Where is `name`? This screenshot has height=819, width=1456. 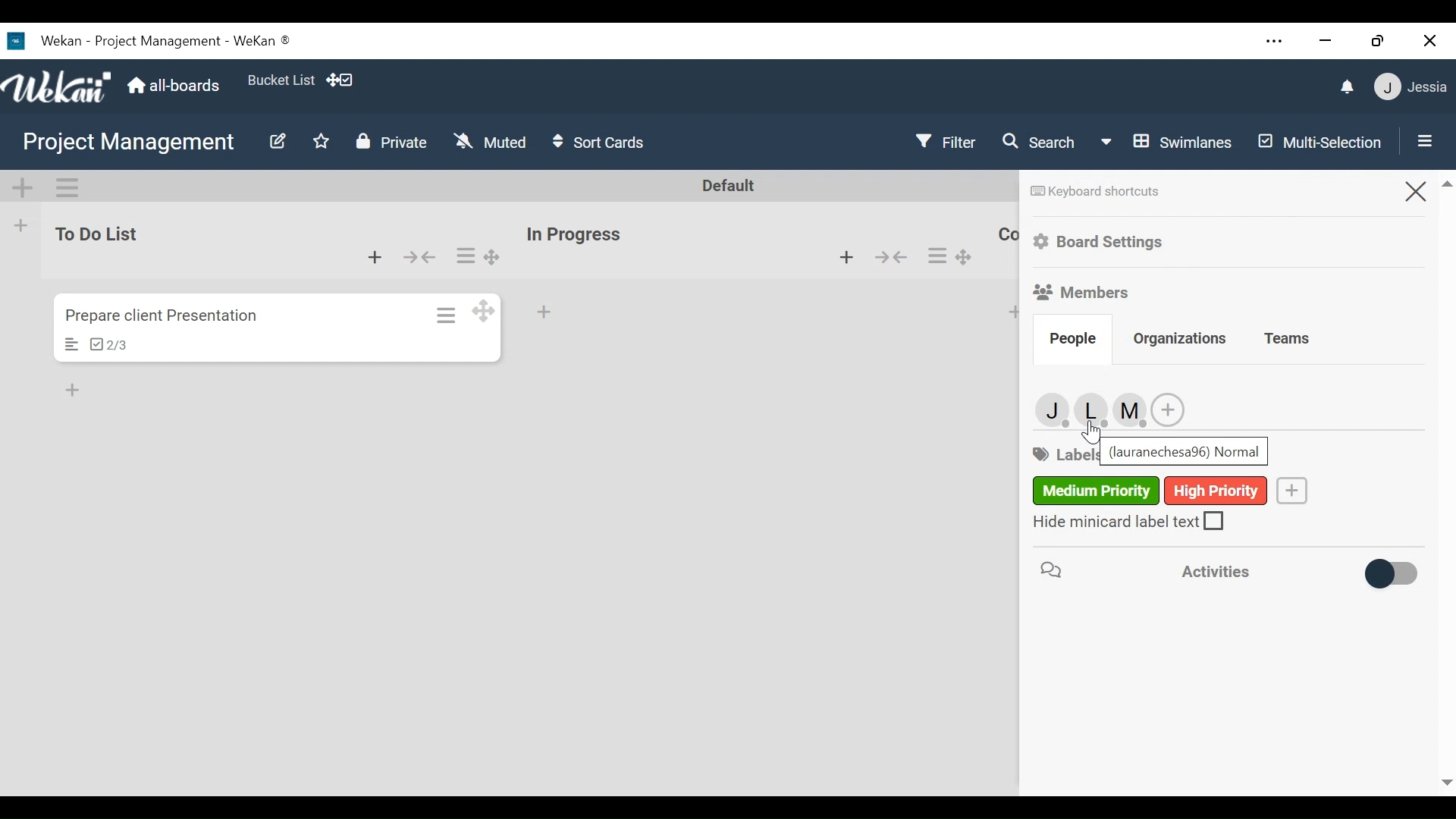
name is located at coordinates (1185, 452).